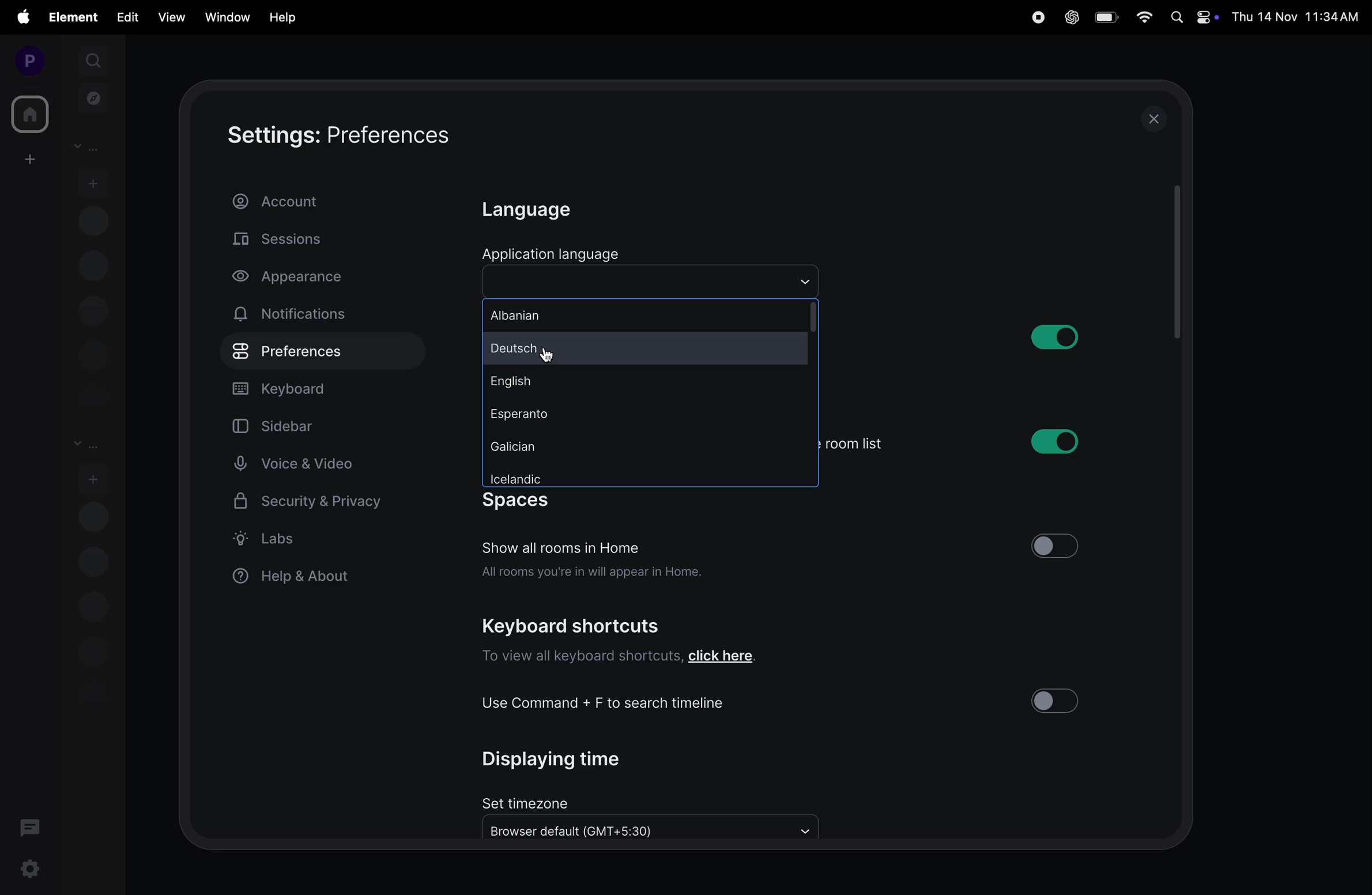 The image size is (1372, 895). I want to click on profile, so click(27, 59).